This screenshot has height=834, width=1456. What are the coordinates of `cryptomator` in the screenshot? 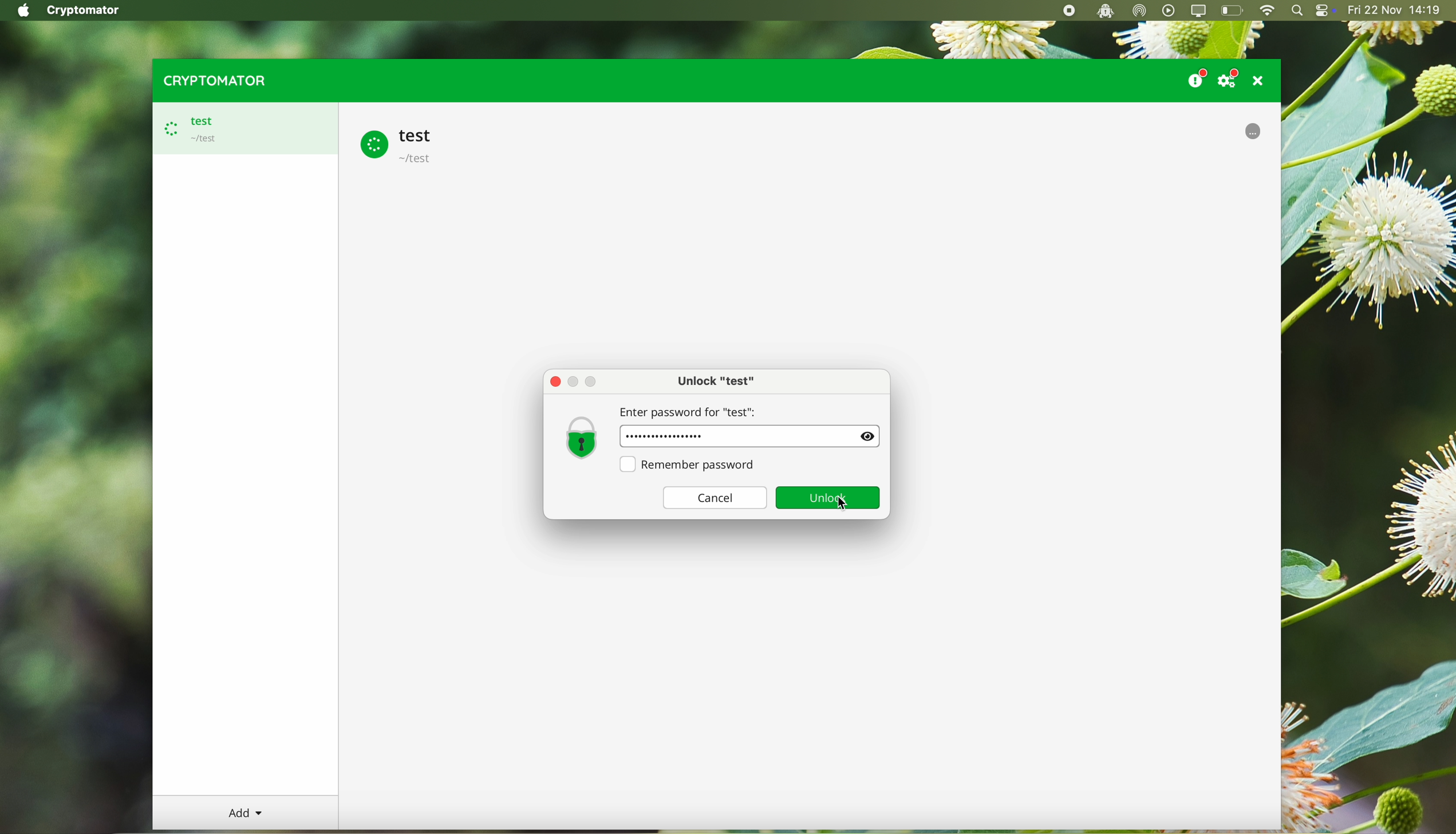 It's located at (212, 80).